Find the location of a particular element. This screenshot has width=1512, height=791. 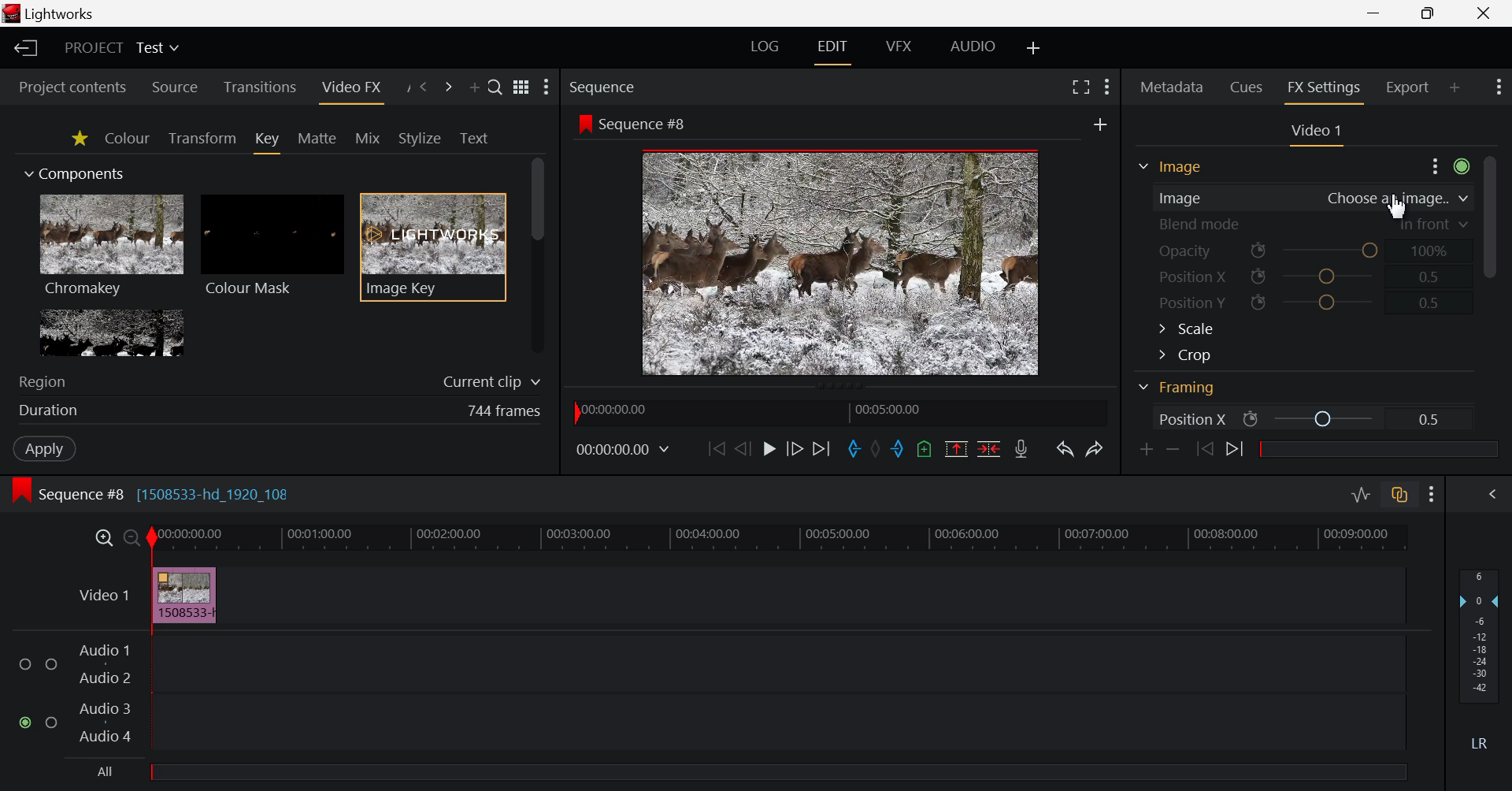

Key is located at coordinates (268, 143).